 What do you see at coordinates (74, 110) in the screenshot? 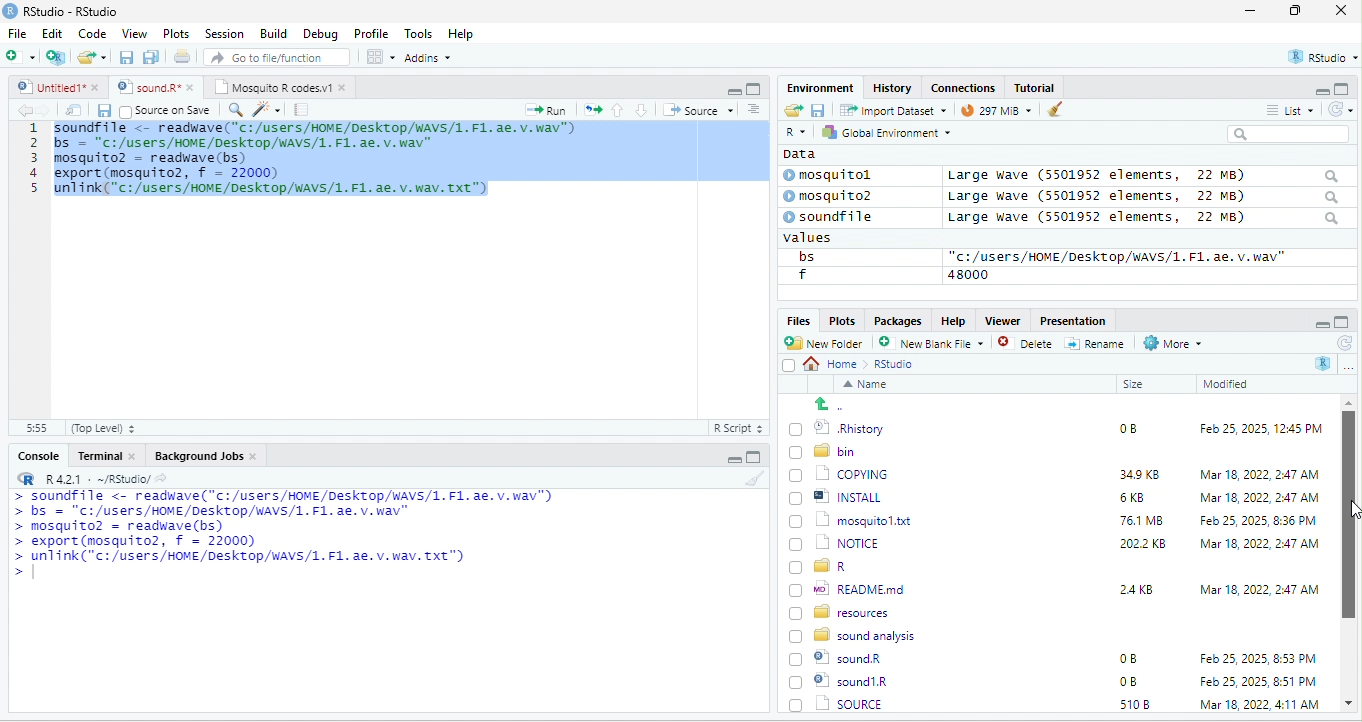
I see `open` at bounding box center [74, 110].